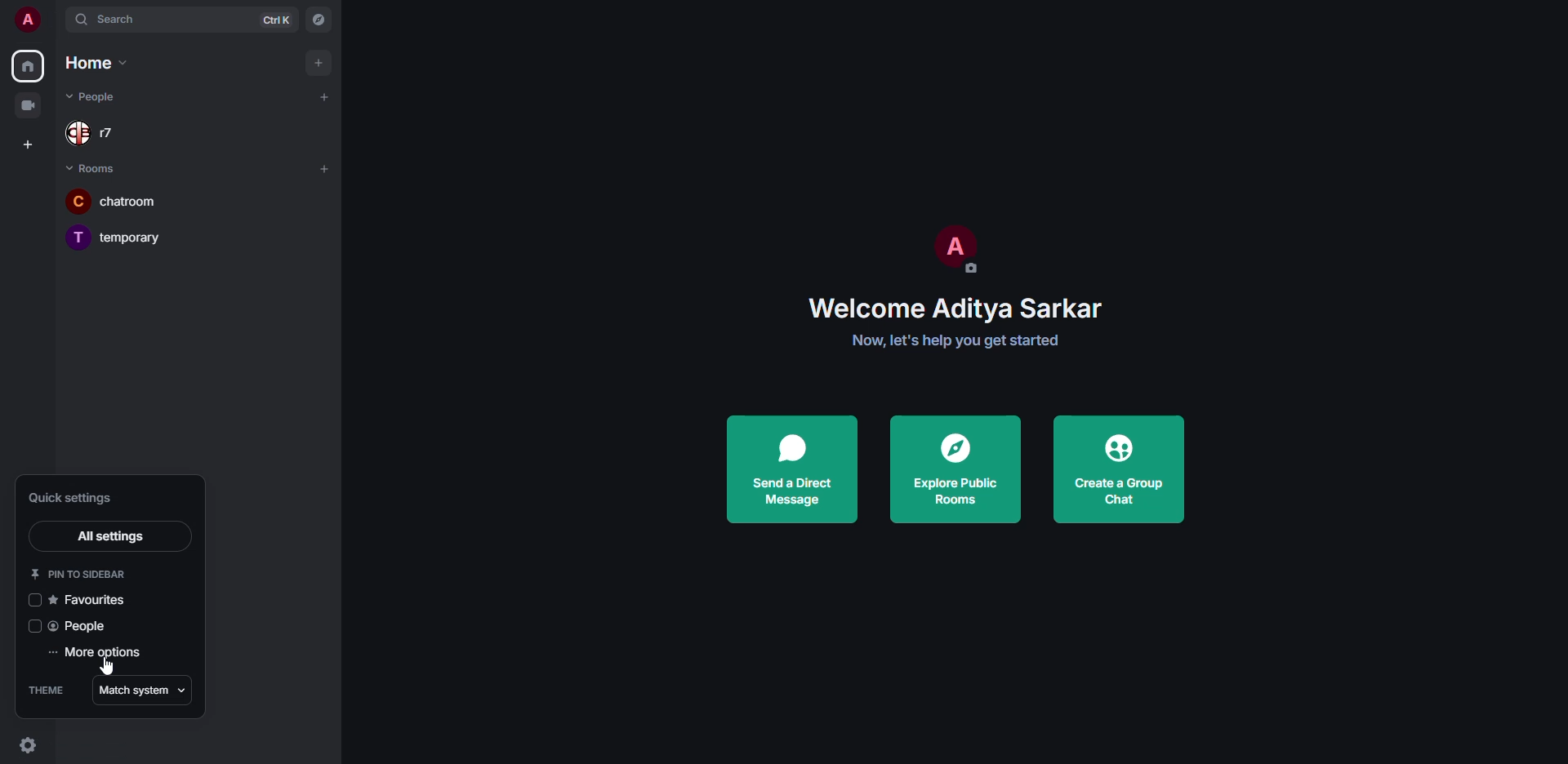  I want to click on click to enable, so click(34, 626).